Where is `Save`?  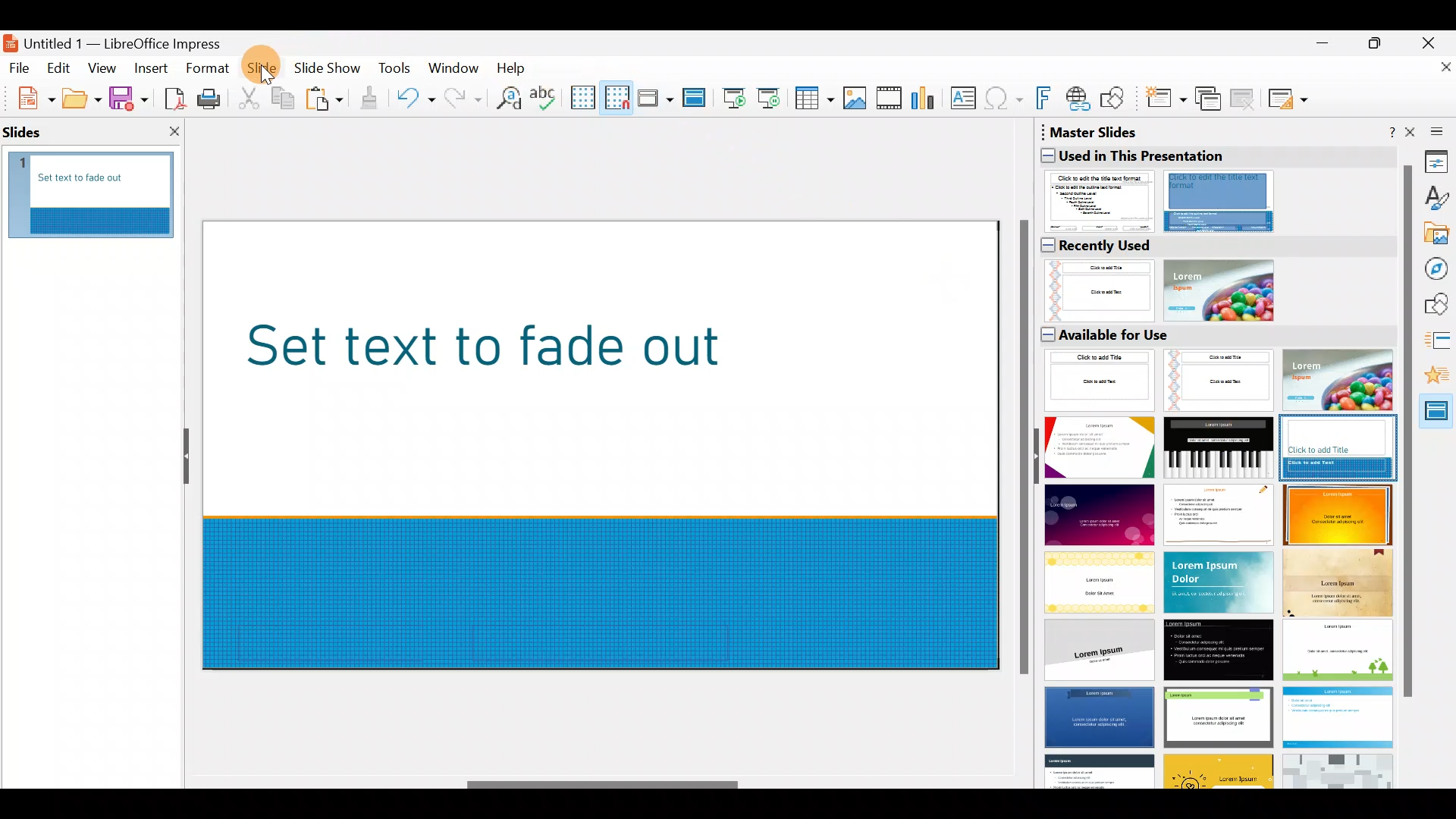
Save is located at coordinates (128, 97).